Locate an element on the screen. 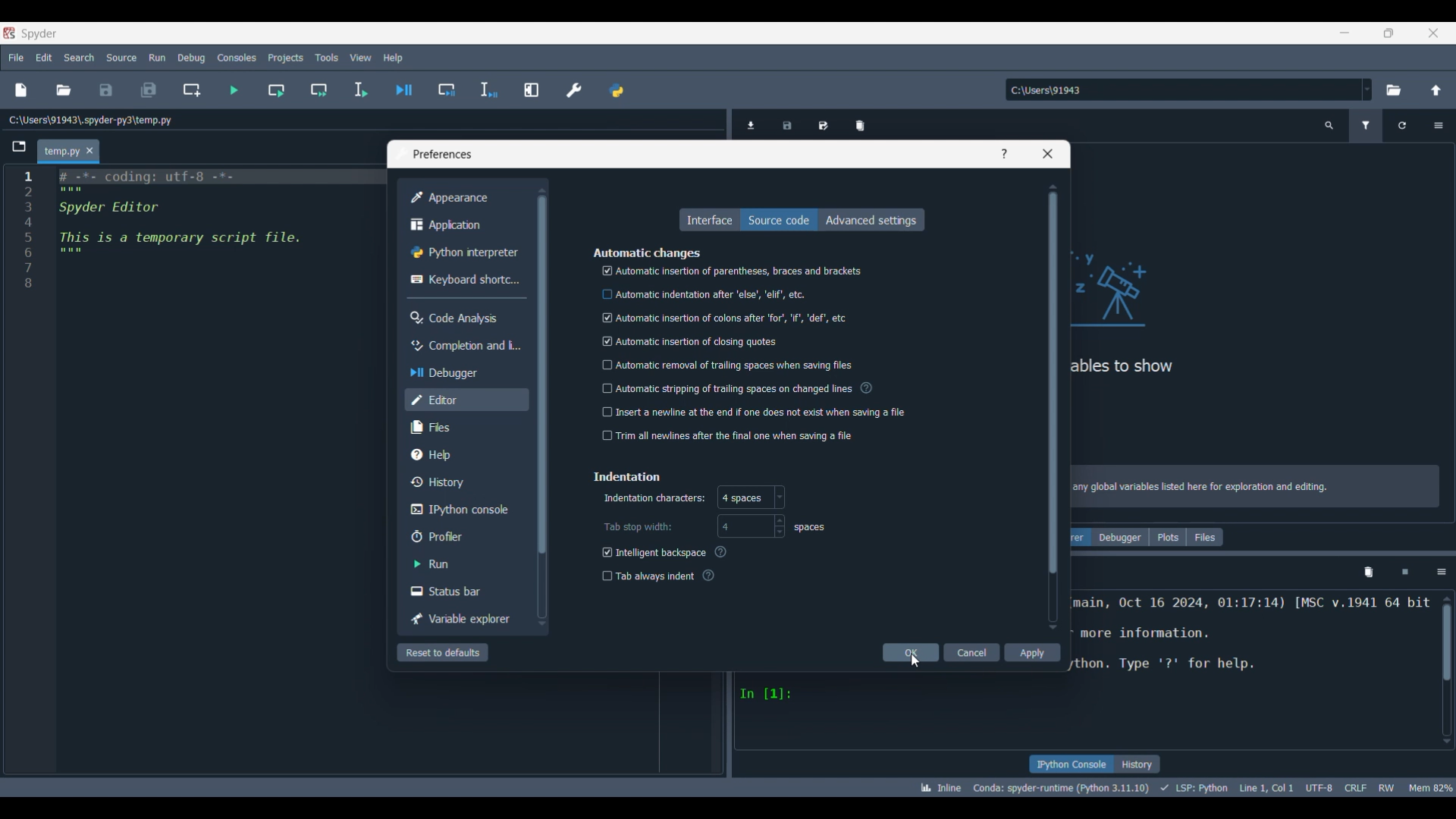  Help is located at coordinates (1004, 153).